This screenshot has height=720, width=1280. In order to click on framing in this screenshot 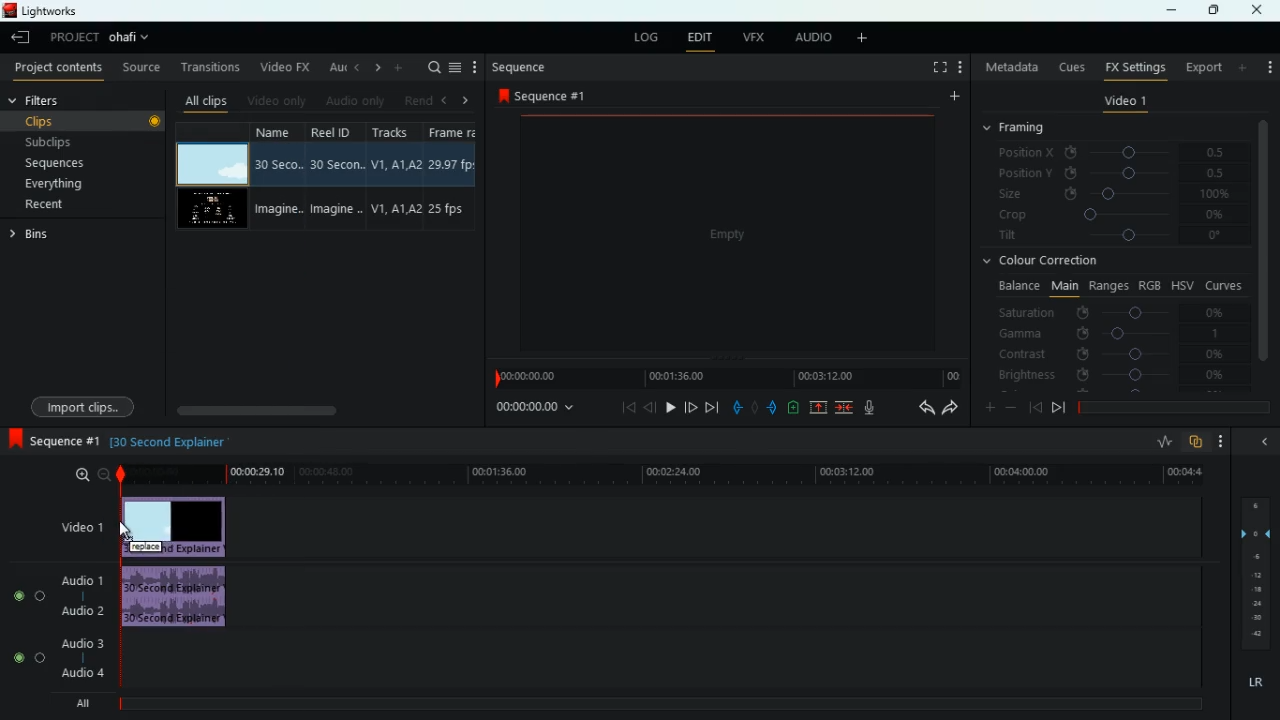, I will do `click(1026, 129)`.